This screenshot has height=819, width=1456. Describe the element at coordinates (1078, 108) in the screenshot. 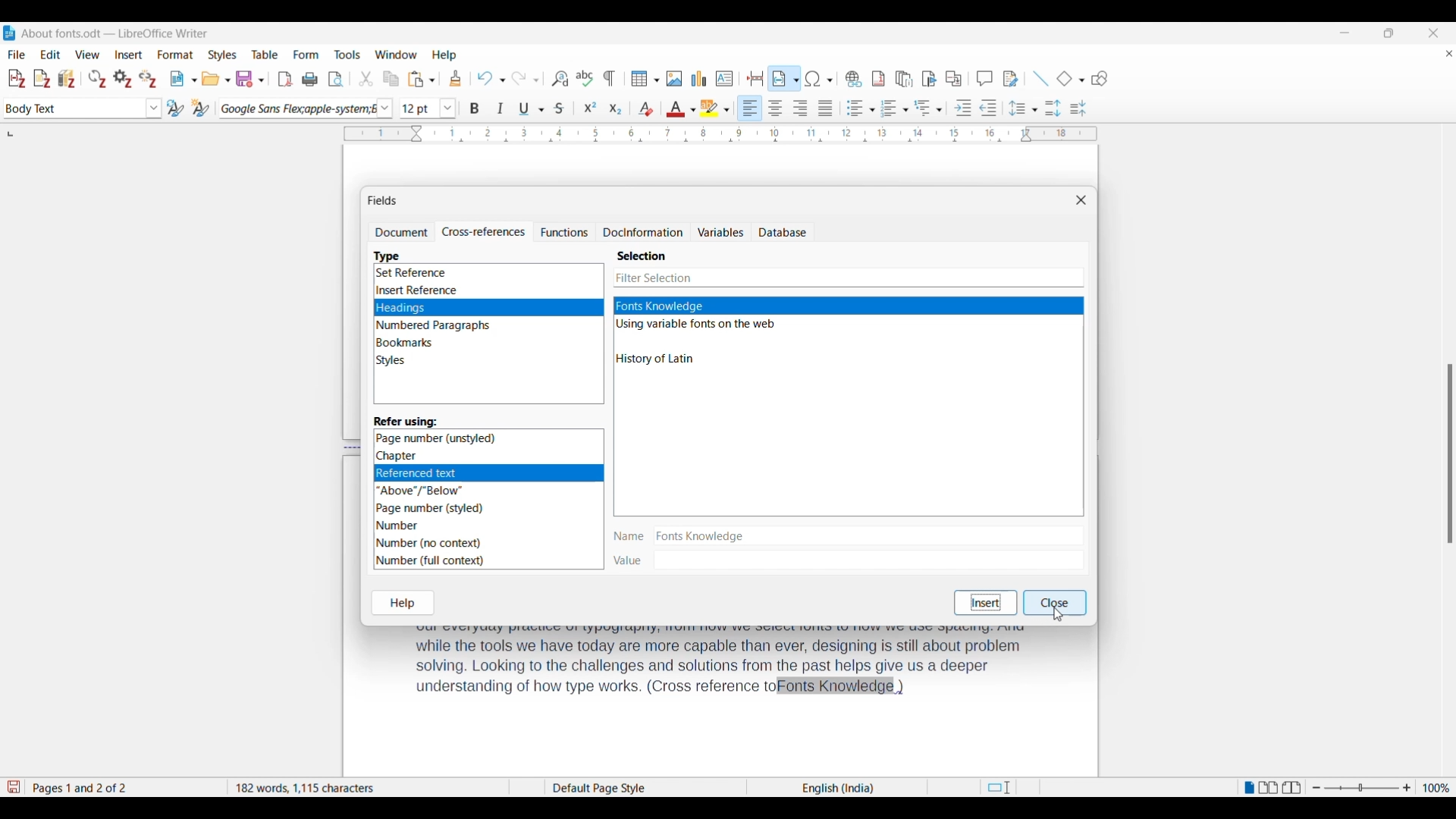

I see `Decrease paragraph spacing` at that location.